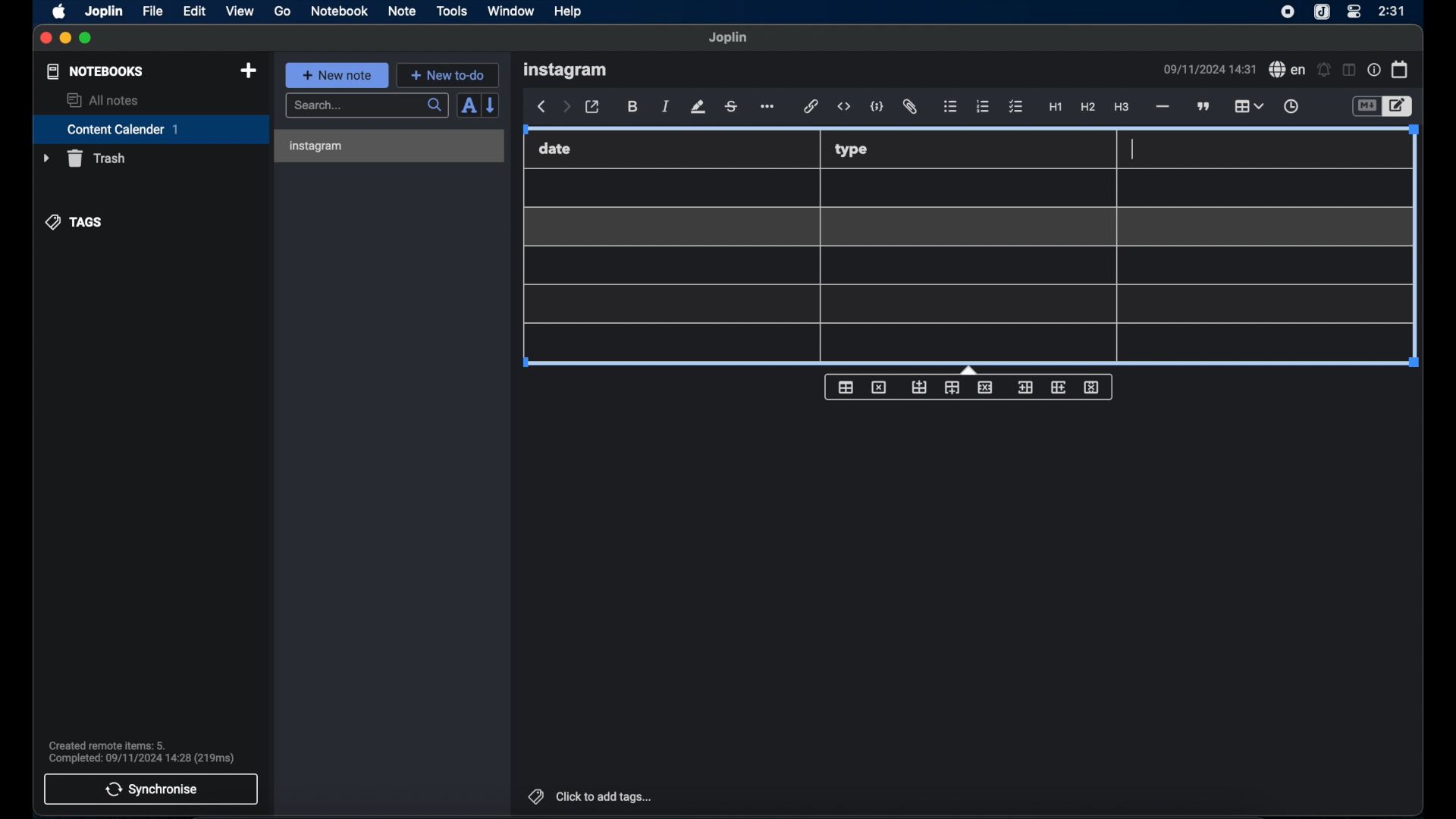 The width and height of the screenshot is (1456, 819). What do you see at coordinates (1088, 107) in the screenshot?
I see `heading 2` at bounding box center [1088, 107].